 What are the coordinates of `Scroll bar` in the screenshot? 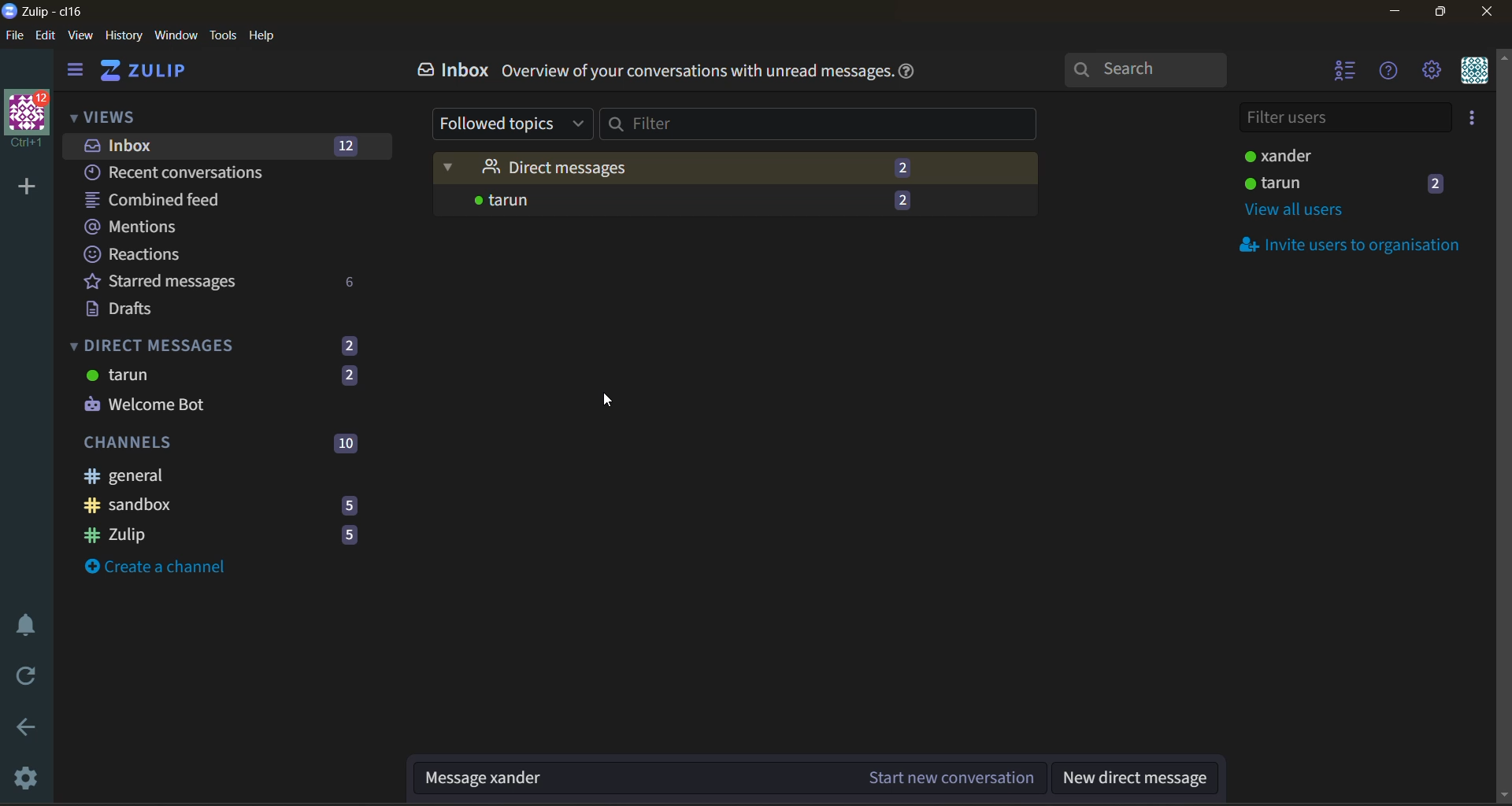 It's located at (1503, 425).